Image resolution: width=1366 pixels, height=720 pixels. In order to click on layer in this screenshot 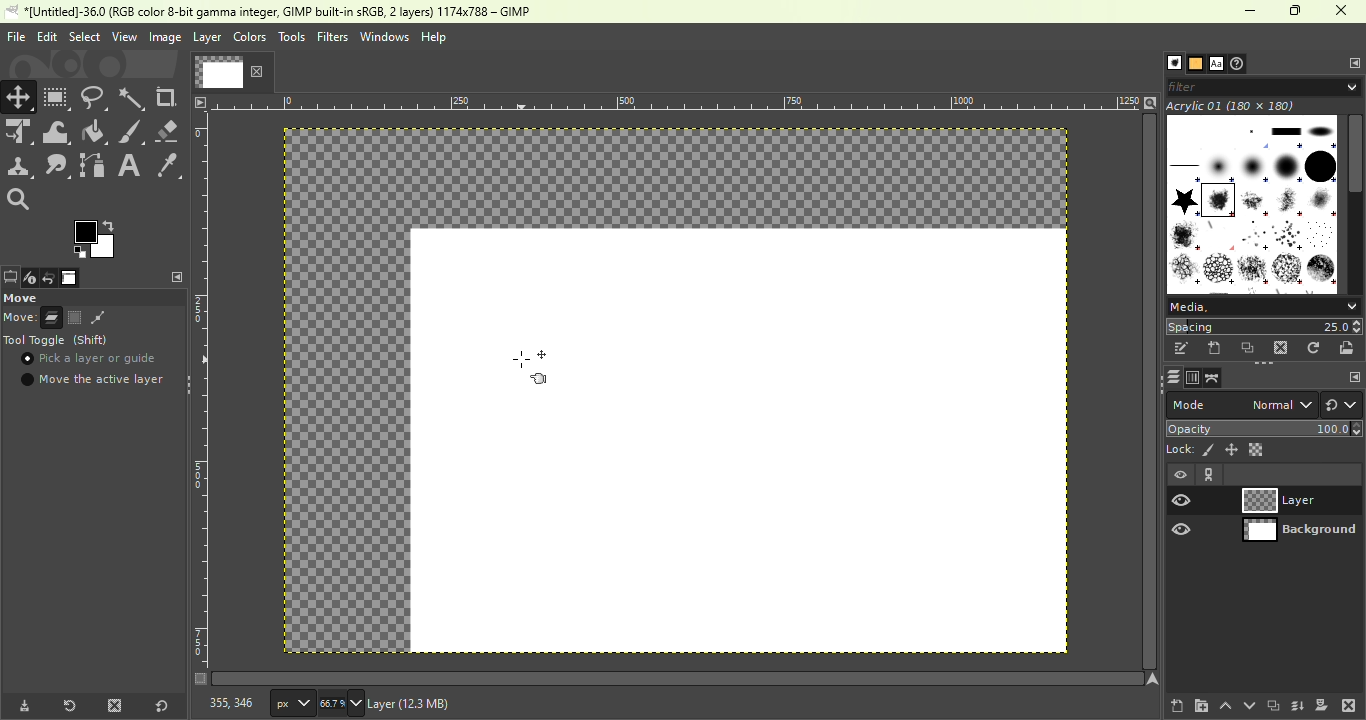, I will do `click(451, 706)`.